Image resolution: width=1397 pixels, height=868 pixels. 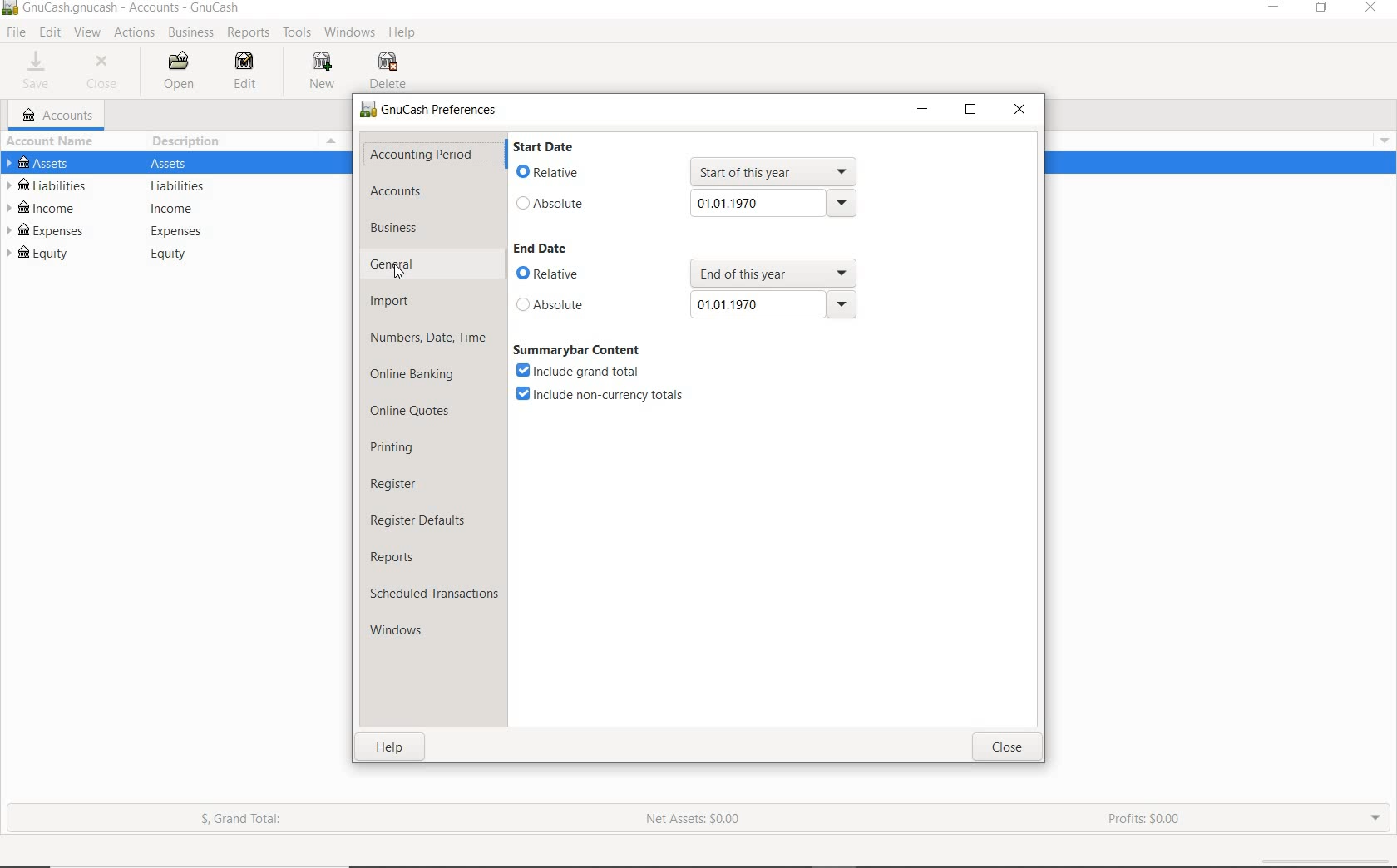 What do you see at coordinates (571, 304) in the screenshot?
I see `ABSOLUTE` at bounding box center [571, 304].